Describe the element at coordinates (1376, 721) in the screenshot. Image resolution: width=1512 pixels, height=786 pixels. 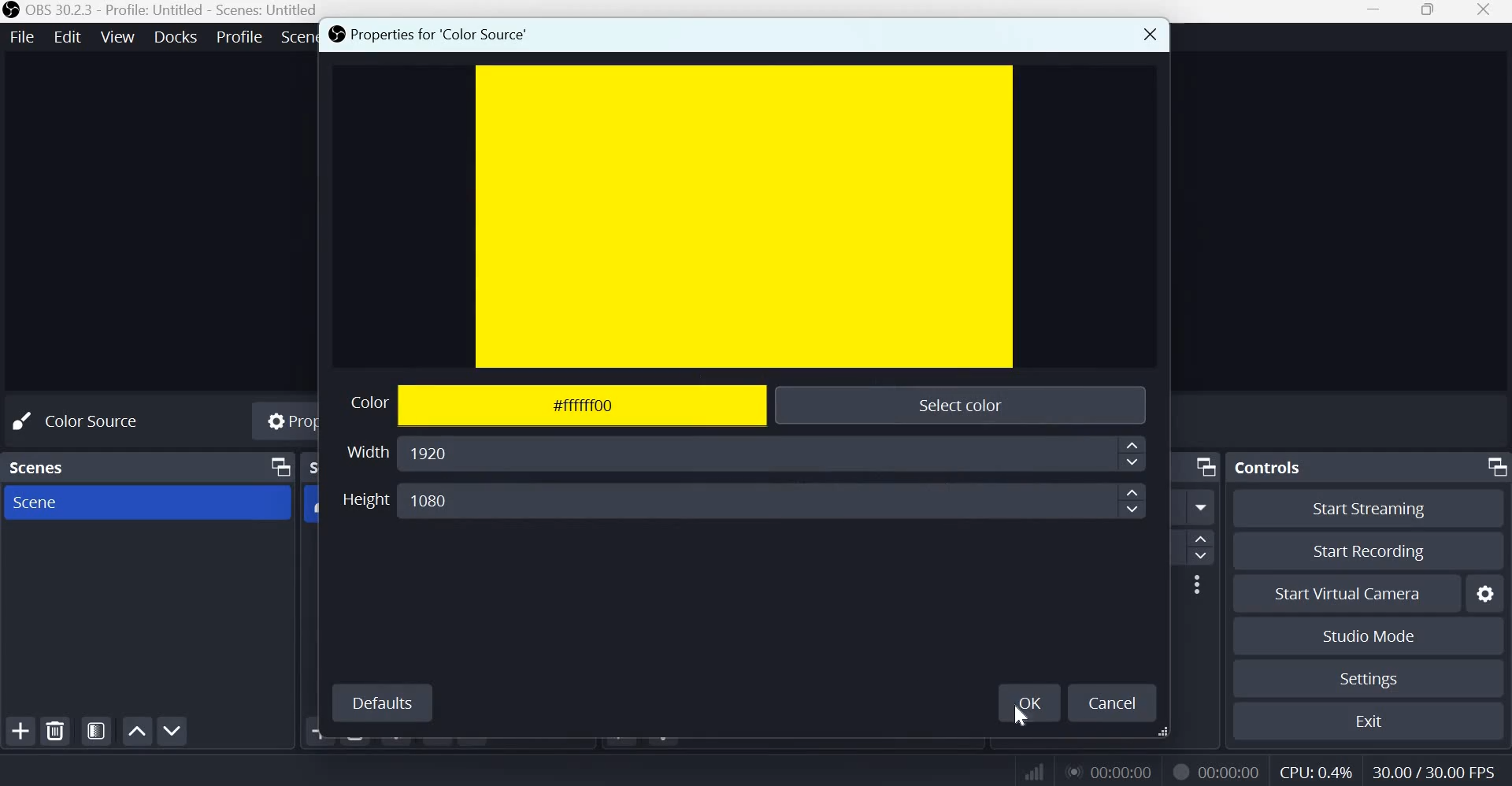
I see `Exit` at that location.